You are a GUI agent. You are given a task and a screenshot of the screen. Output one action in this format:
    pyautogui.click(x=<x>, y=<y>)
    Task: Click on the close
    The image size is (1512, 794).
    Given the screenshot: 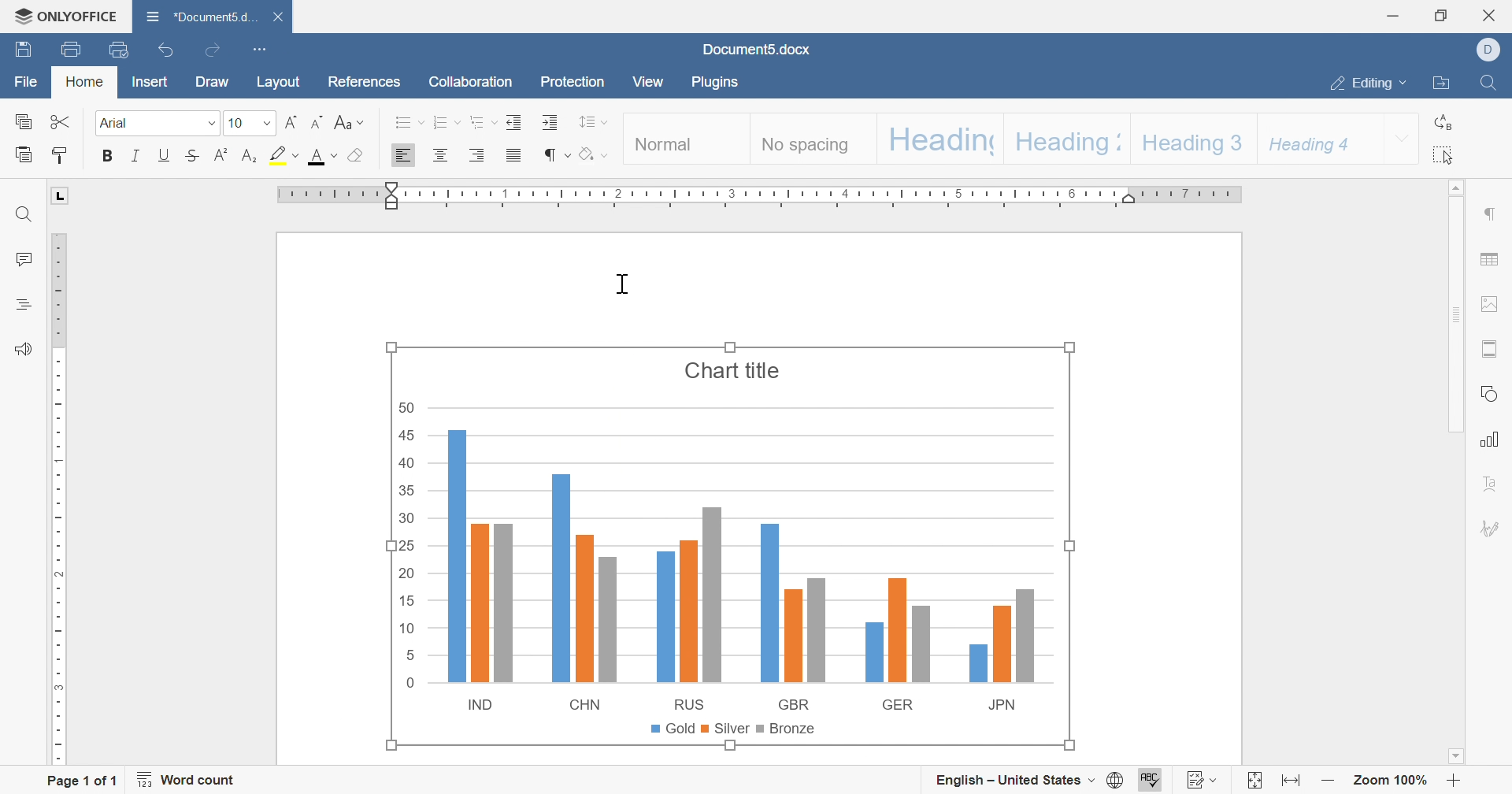 What is the action you would take?
    pyautogui.click(x=1491, y=15)
    